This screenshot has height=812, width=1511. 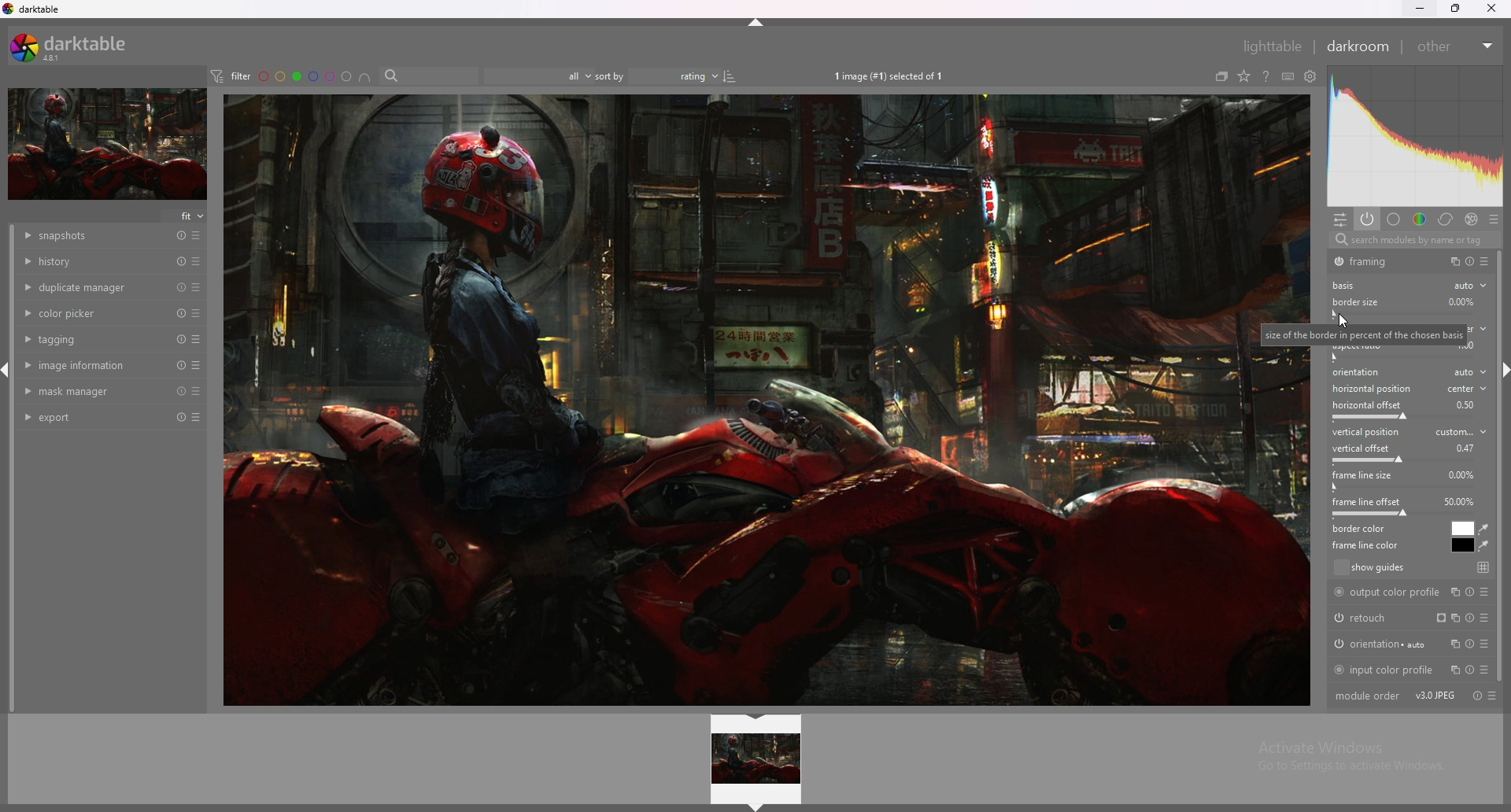 I want to click on frame line color, so click(x=1368, y=545).